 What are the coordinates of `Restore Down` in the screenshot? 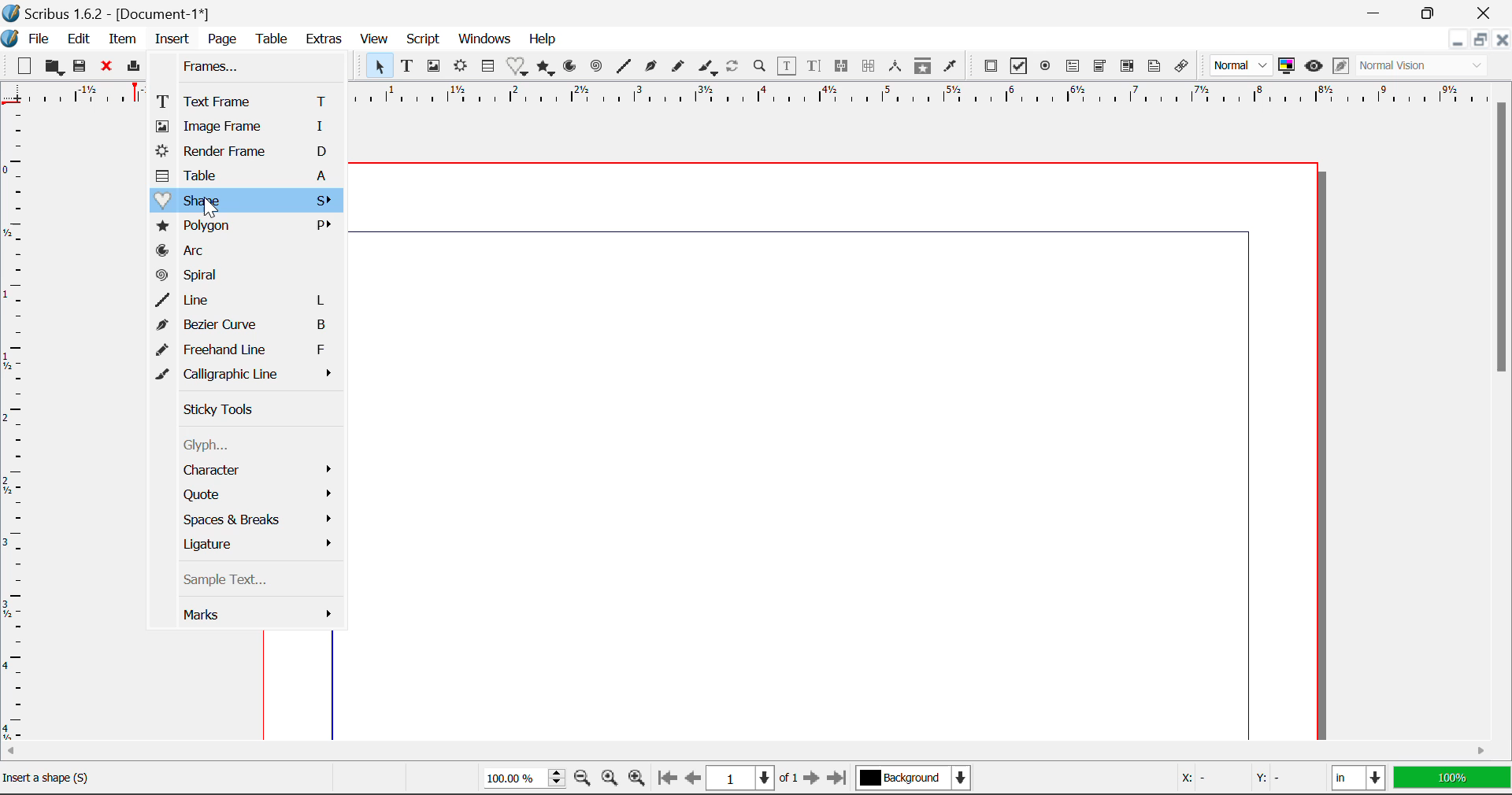 It's located at (1459, 42).